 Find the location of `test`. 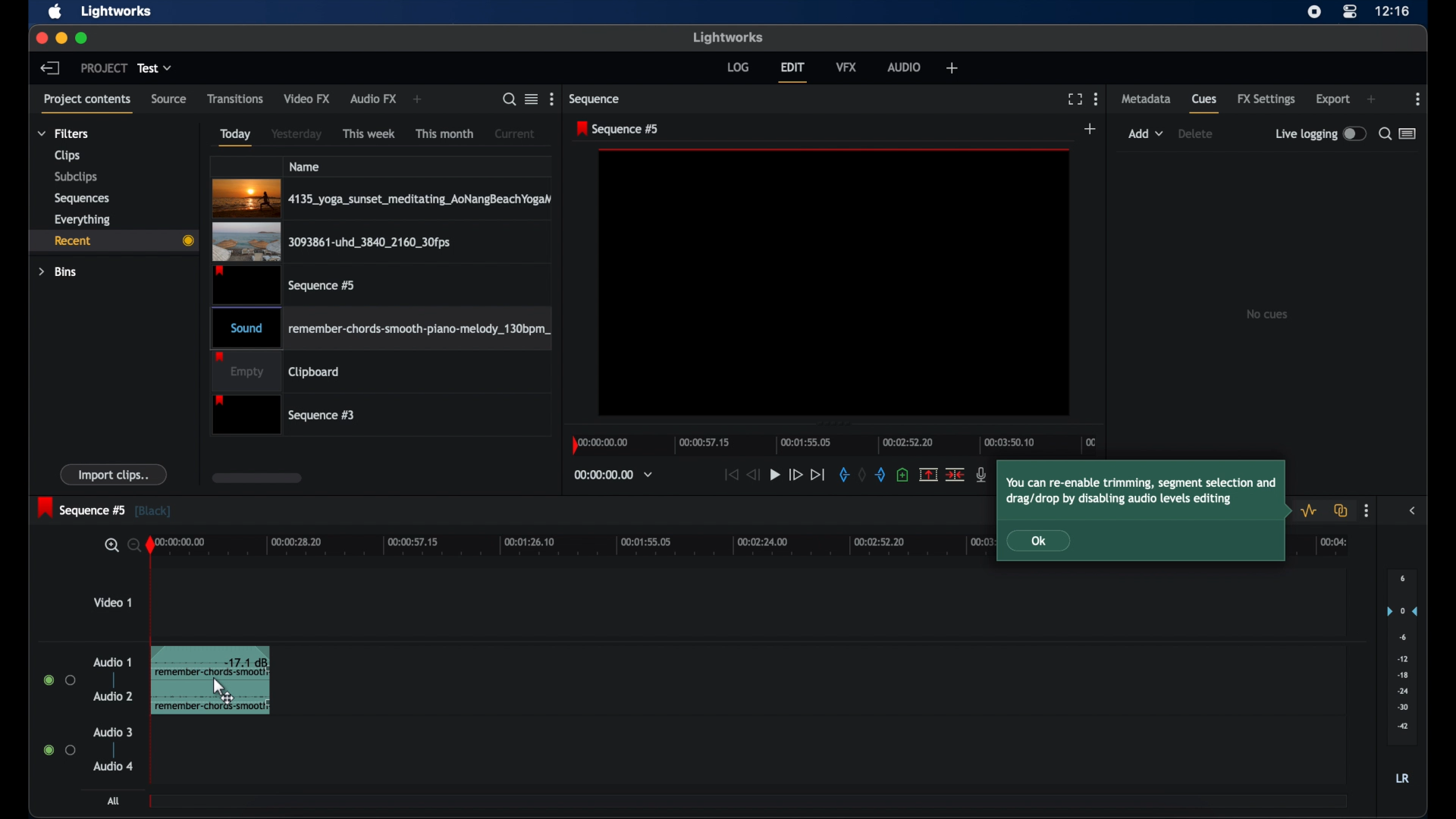

test is located at coordinates (156, 68).